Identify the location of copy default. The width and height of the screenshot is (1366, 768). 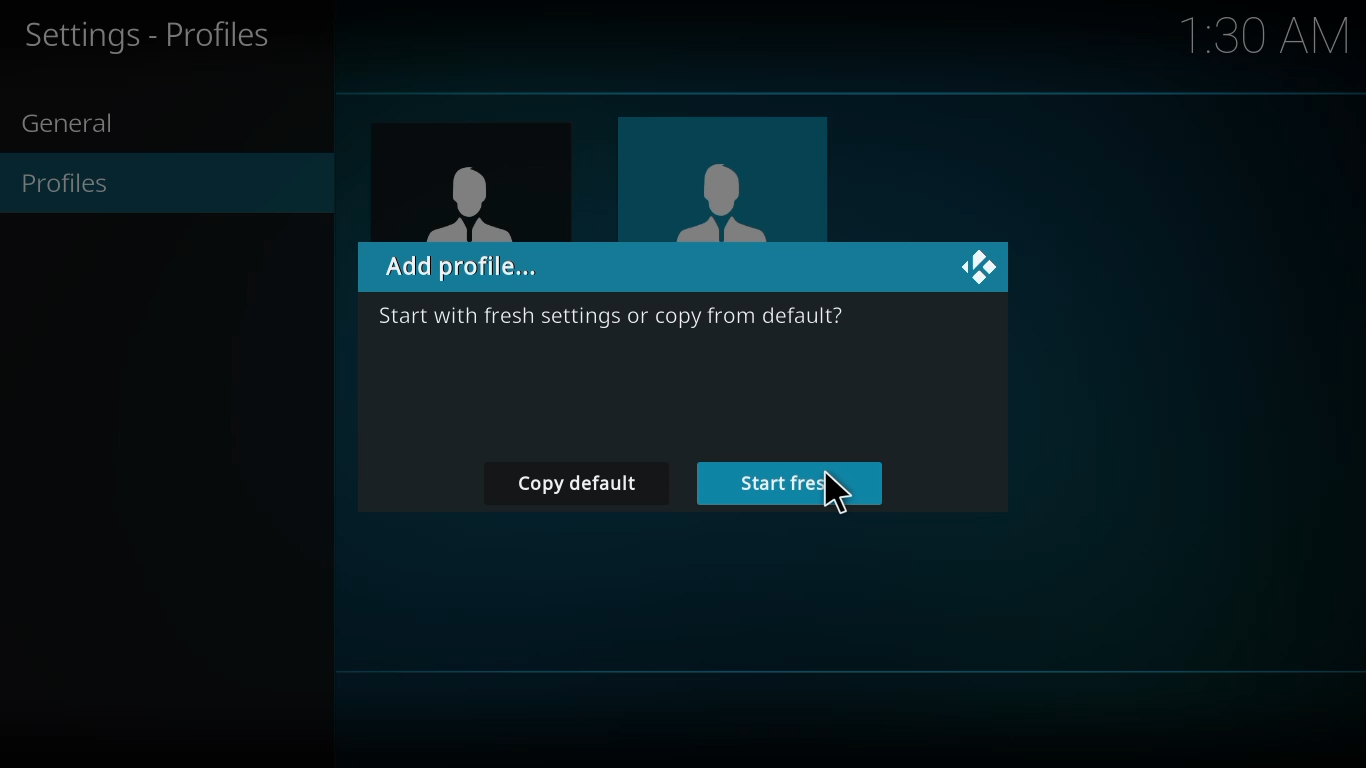
(585, 484).